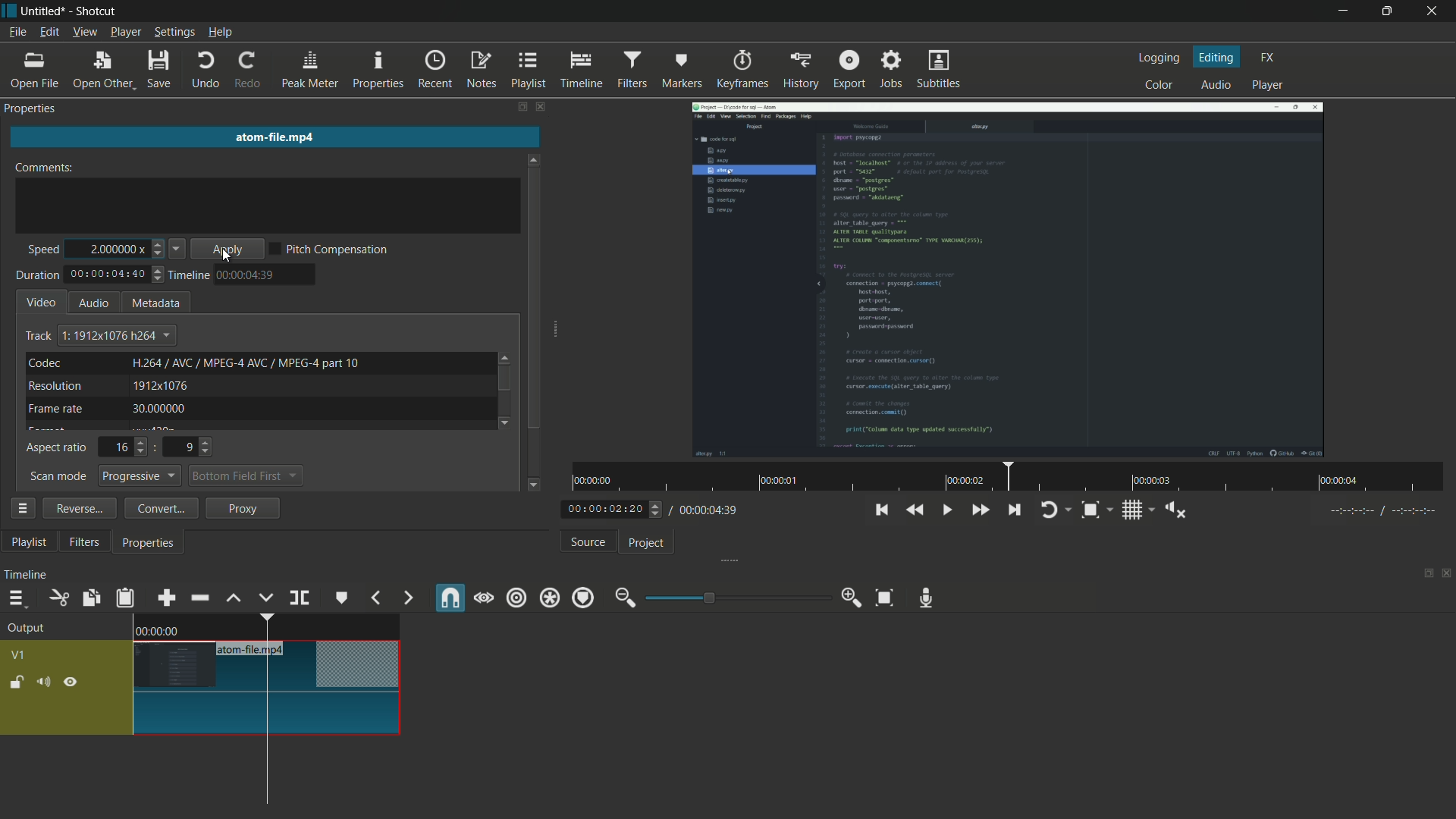  I want to click on quickly play backward, so click(915, 510).